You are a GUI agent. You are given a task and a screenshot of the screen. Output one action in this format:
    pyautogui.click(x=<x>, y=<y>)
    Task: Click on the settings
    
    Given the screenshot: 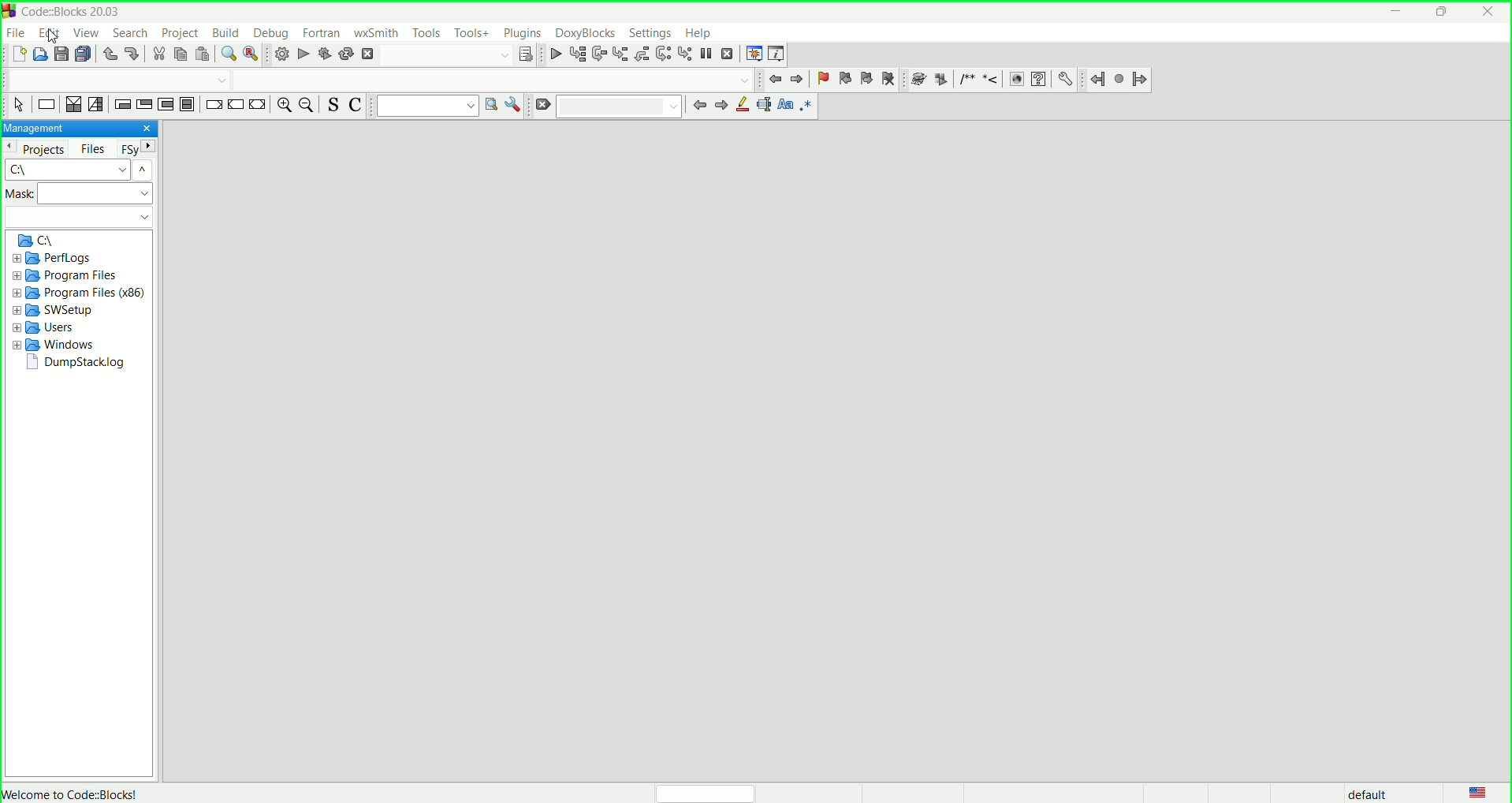 What is the action you would take?
    pyautogui.click(x=650, y=31)
    